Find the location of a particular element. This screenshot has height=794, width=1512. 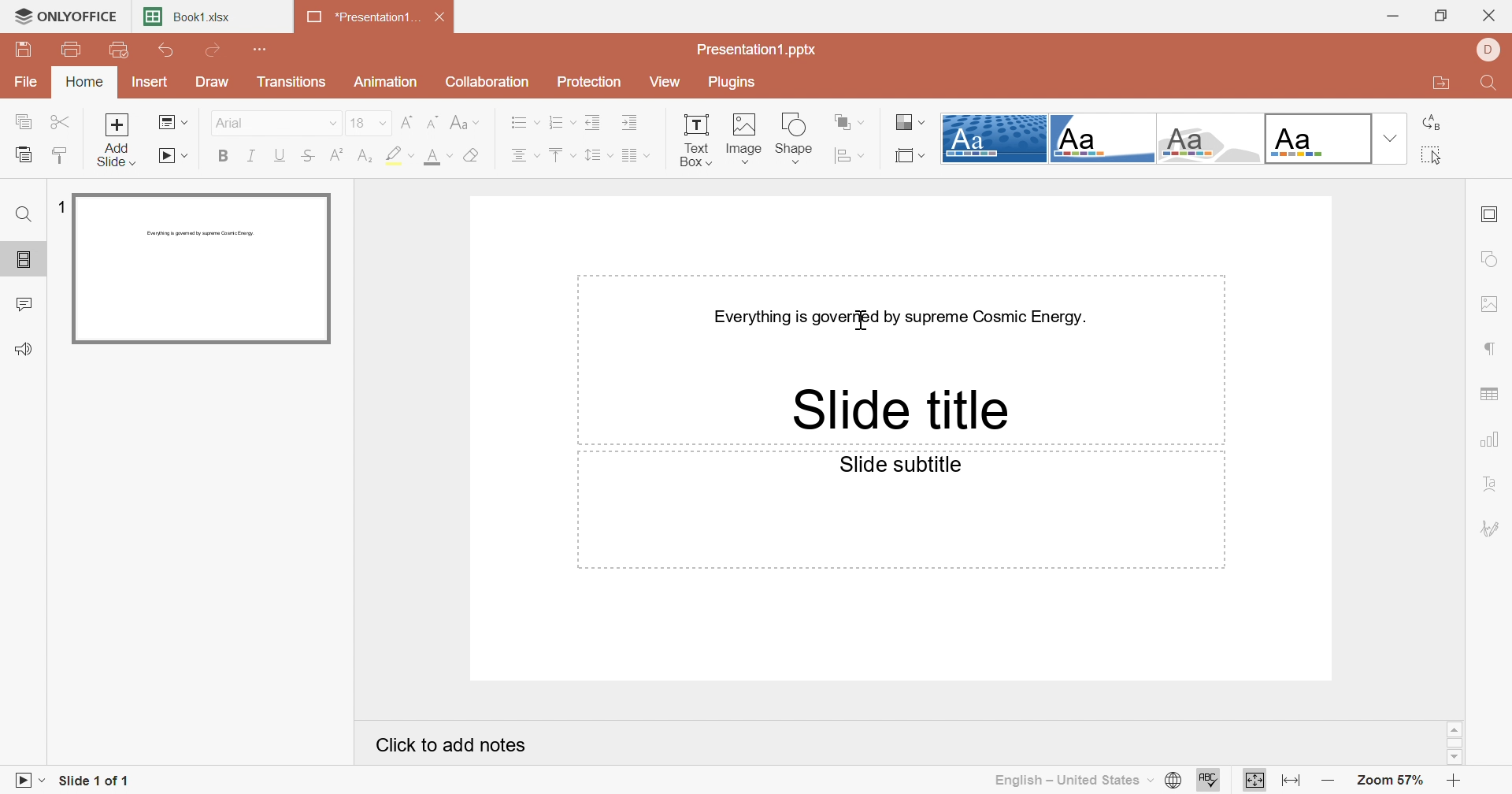

Shape settings is located at coordinates (1494, 256).